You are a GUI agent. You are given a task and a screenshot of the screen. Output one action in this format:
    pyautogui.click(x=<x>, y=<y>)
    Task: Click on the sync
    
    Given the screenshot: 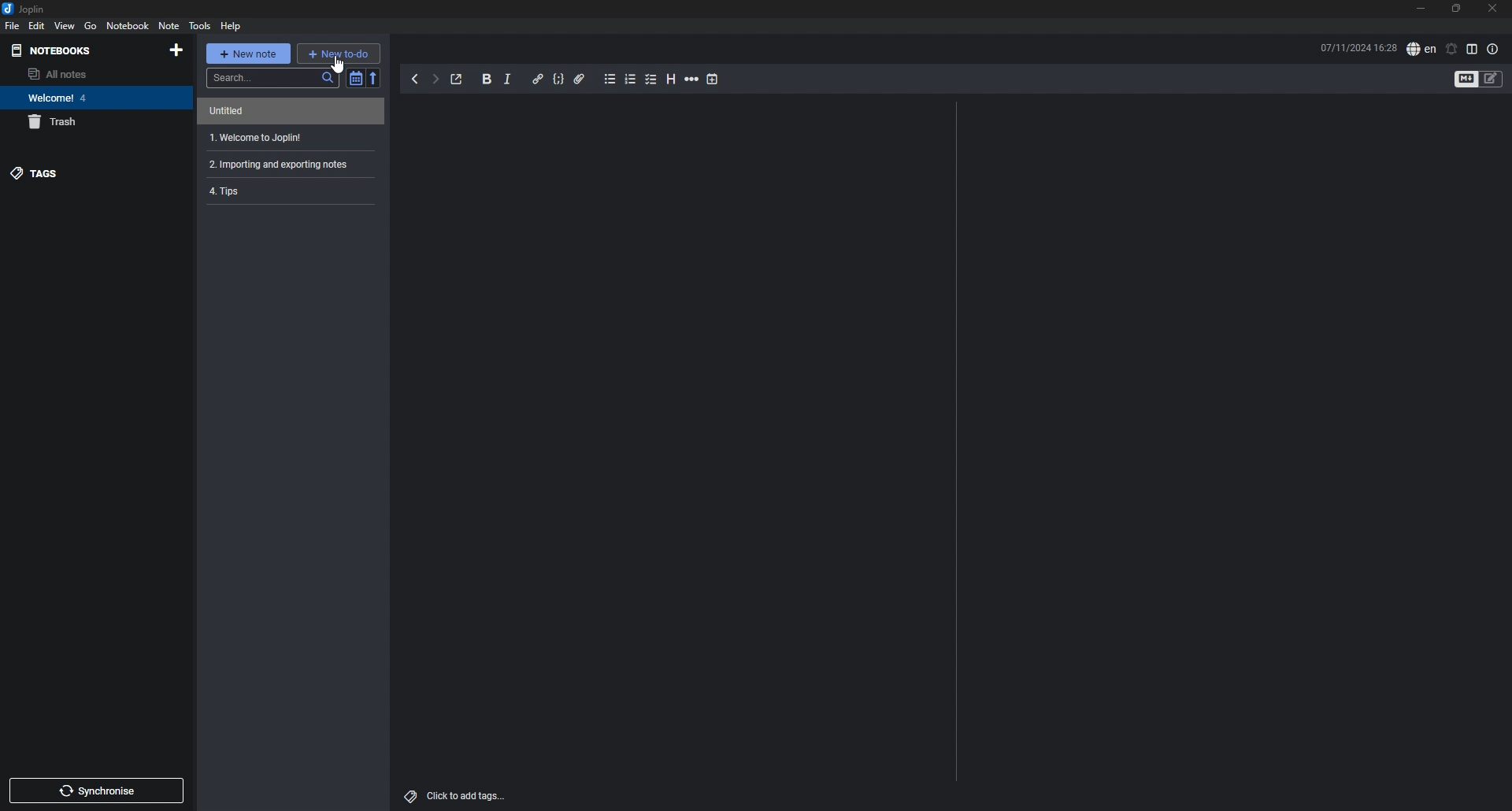 What is the action you would take?
    pyautogui.click(x=96, y=790)
    